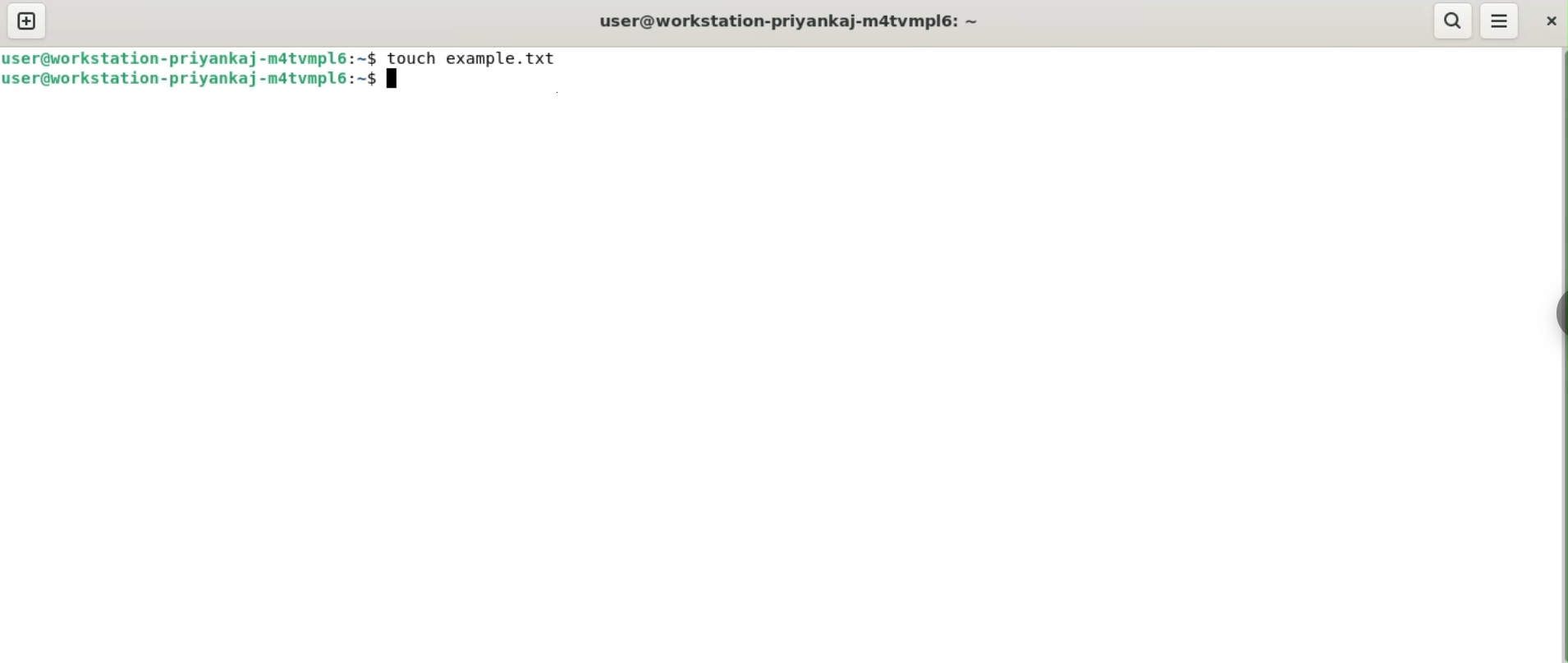 The height and width of the screenshot is (663, 1568). What do you see at coordinates (790, 21) in the screenshot?
I see `user@workstation-priyankaj-m4tvmpl6: ~` at bounding box center [790, 21].